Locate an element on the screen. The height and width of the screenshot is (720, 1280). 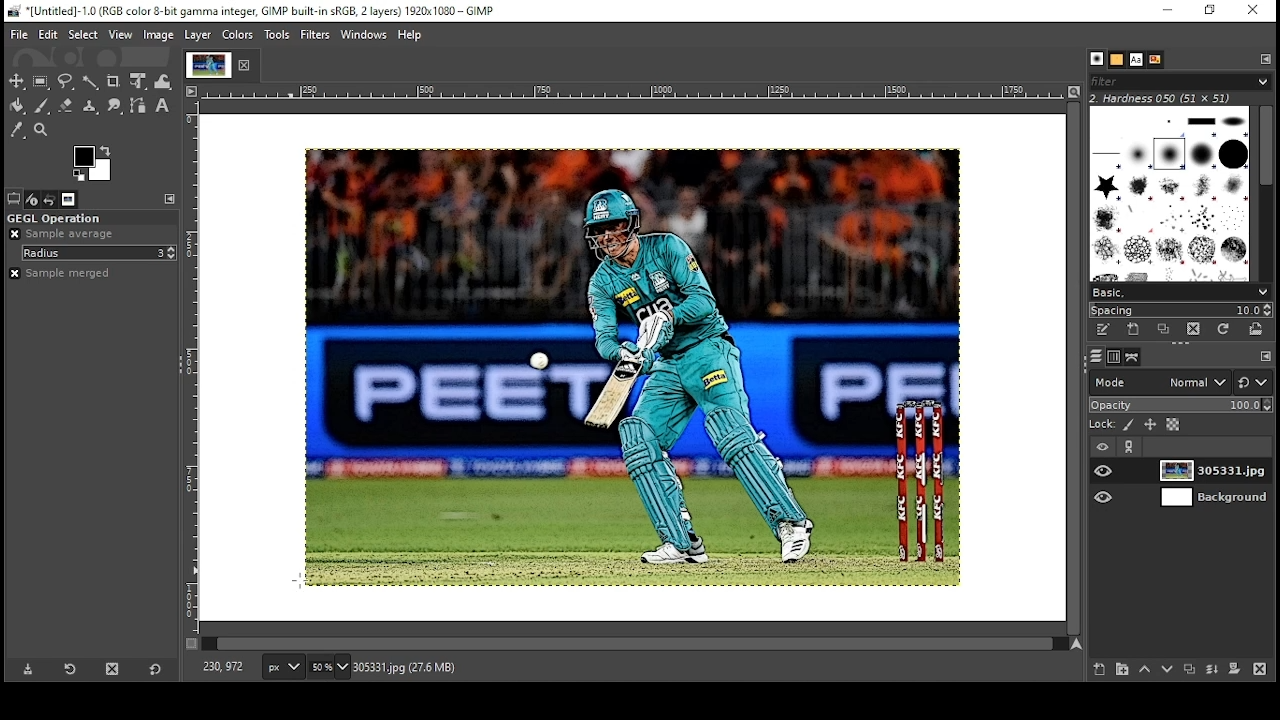
layer on/off is located at coordinates (1106, 473).